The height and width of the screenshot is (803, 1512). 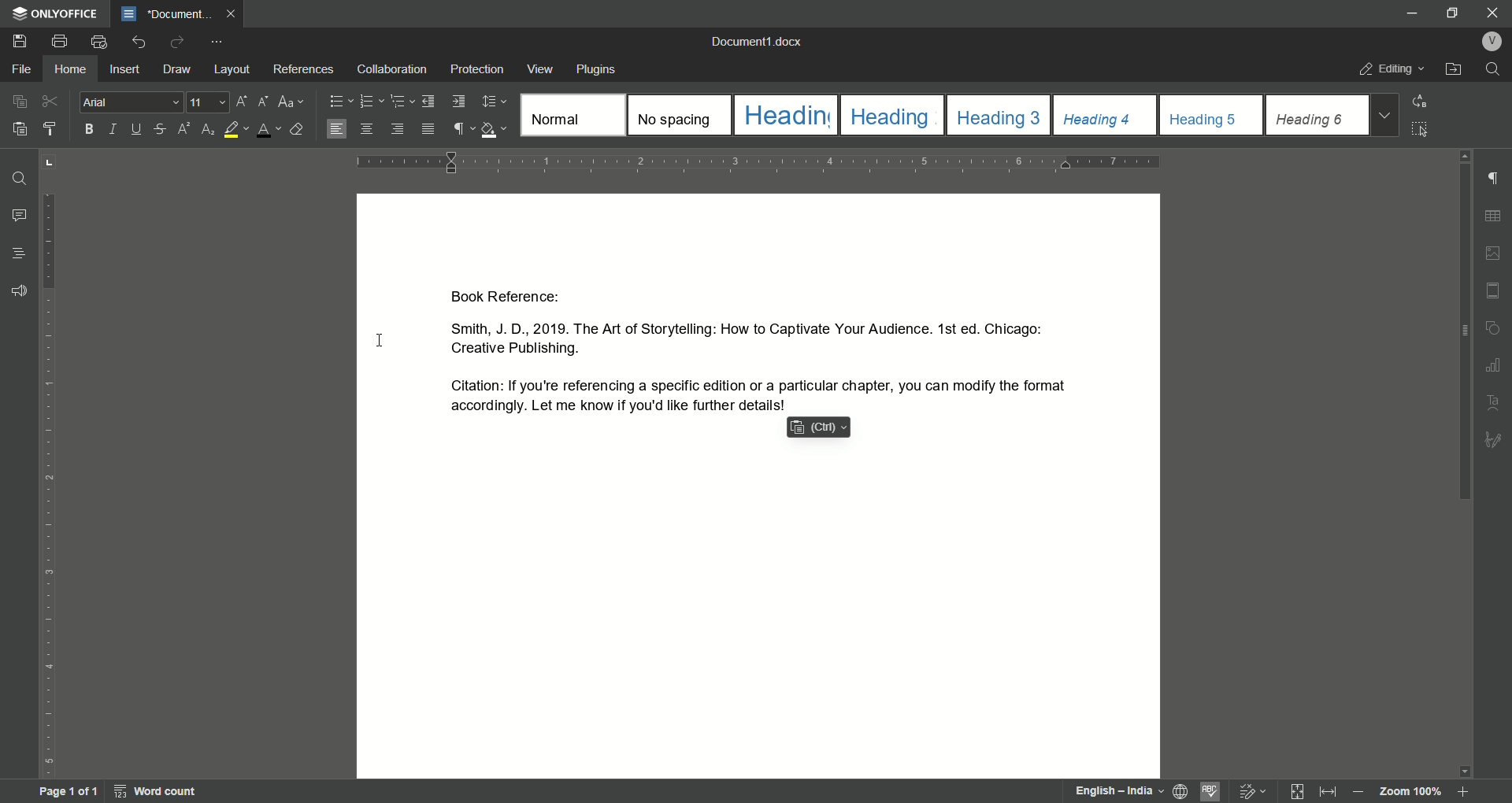 I want to click on redo, so click(x=178, y=42).